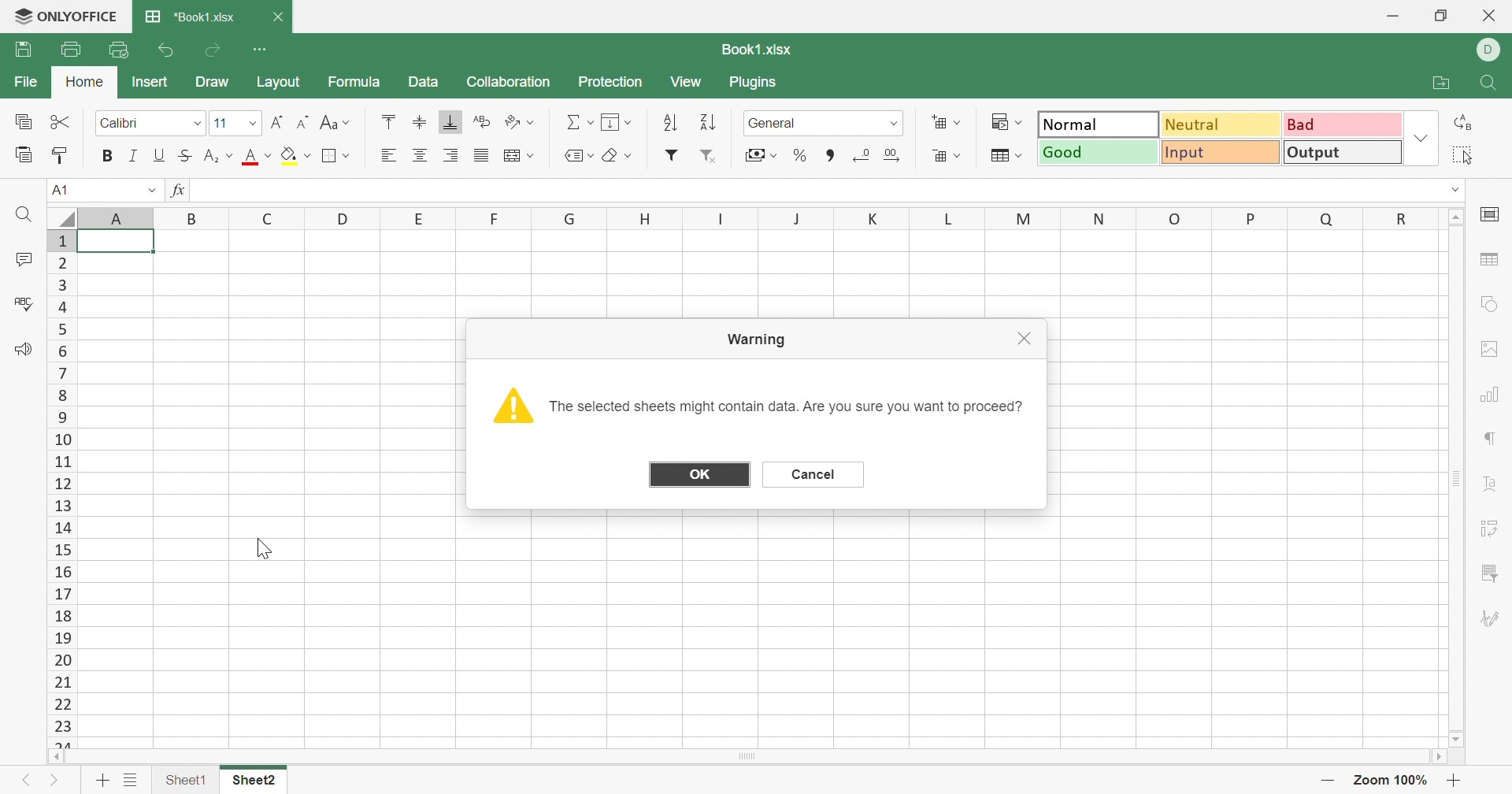  I want to click on Output, so click(1341, 153).